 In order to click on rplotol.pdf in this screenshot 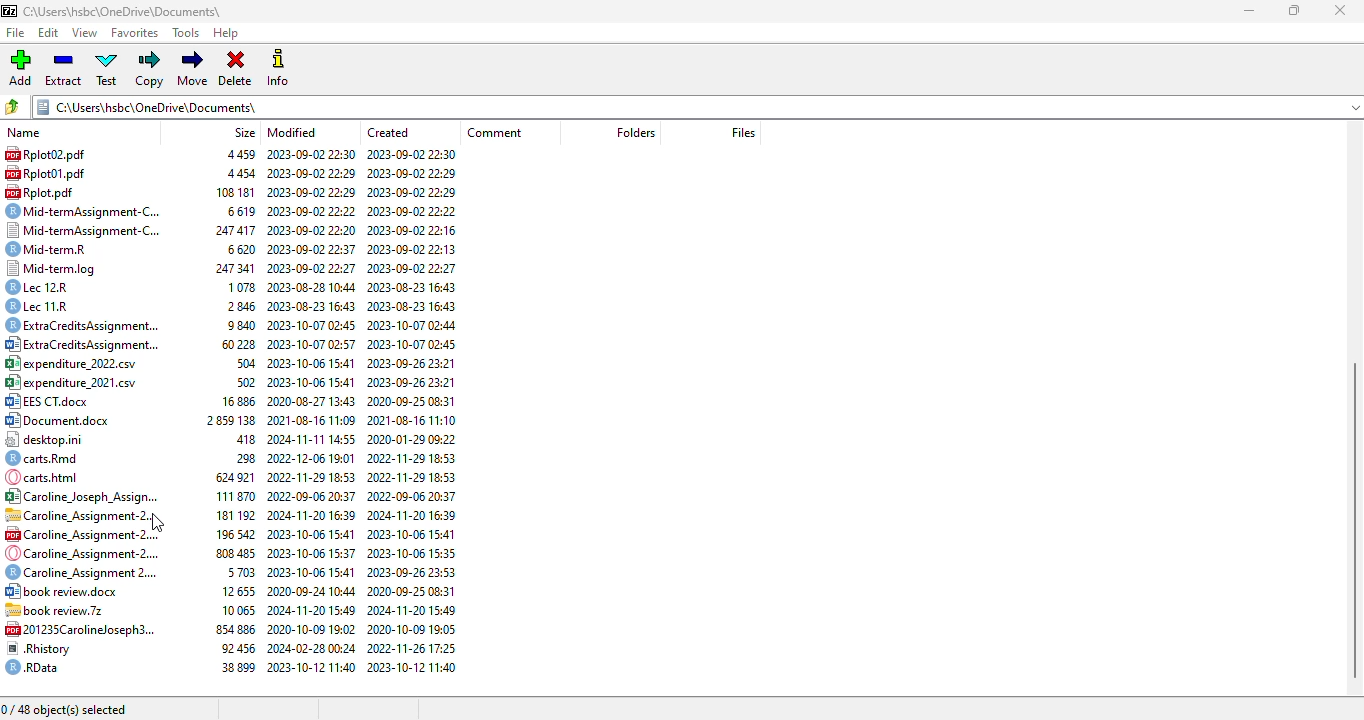, I will do `click(51, 174)`.